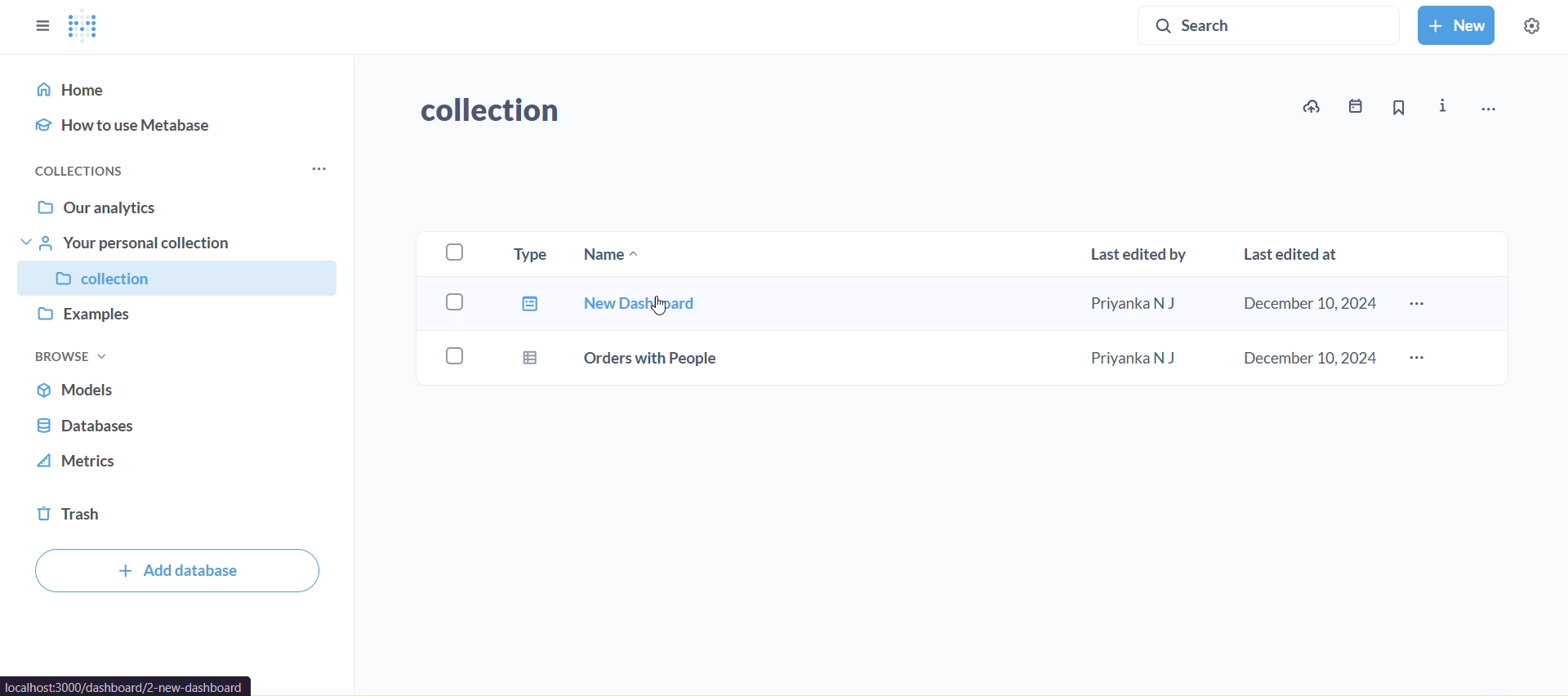 Image resolution: width=1568 pixels, height=696 pixels. What do you see at coordinates (1534, 27) in the screenshot?
I see `settings` at bounding box center [1534, 27].